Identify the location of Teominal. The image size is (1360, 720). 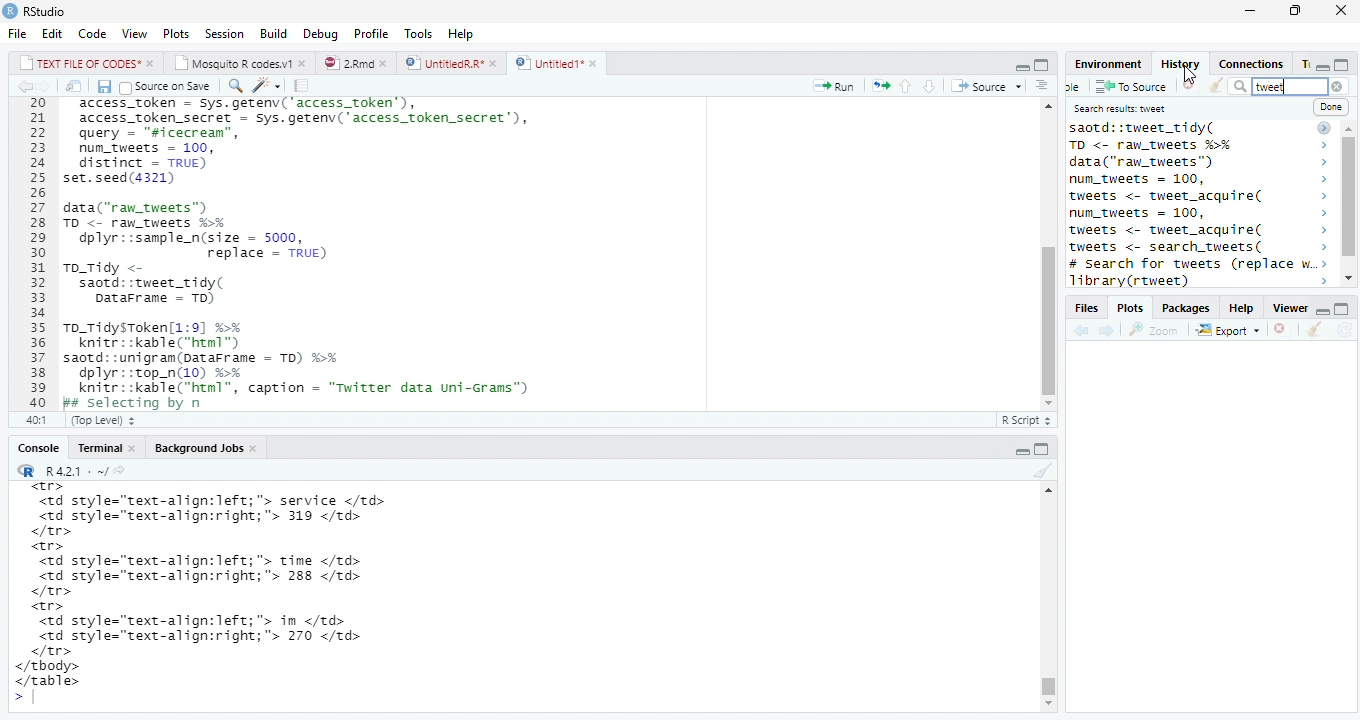
(105, 445).